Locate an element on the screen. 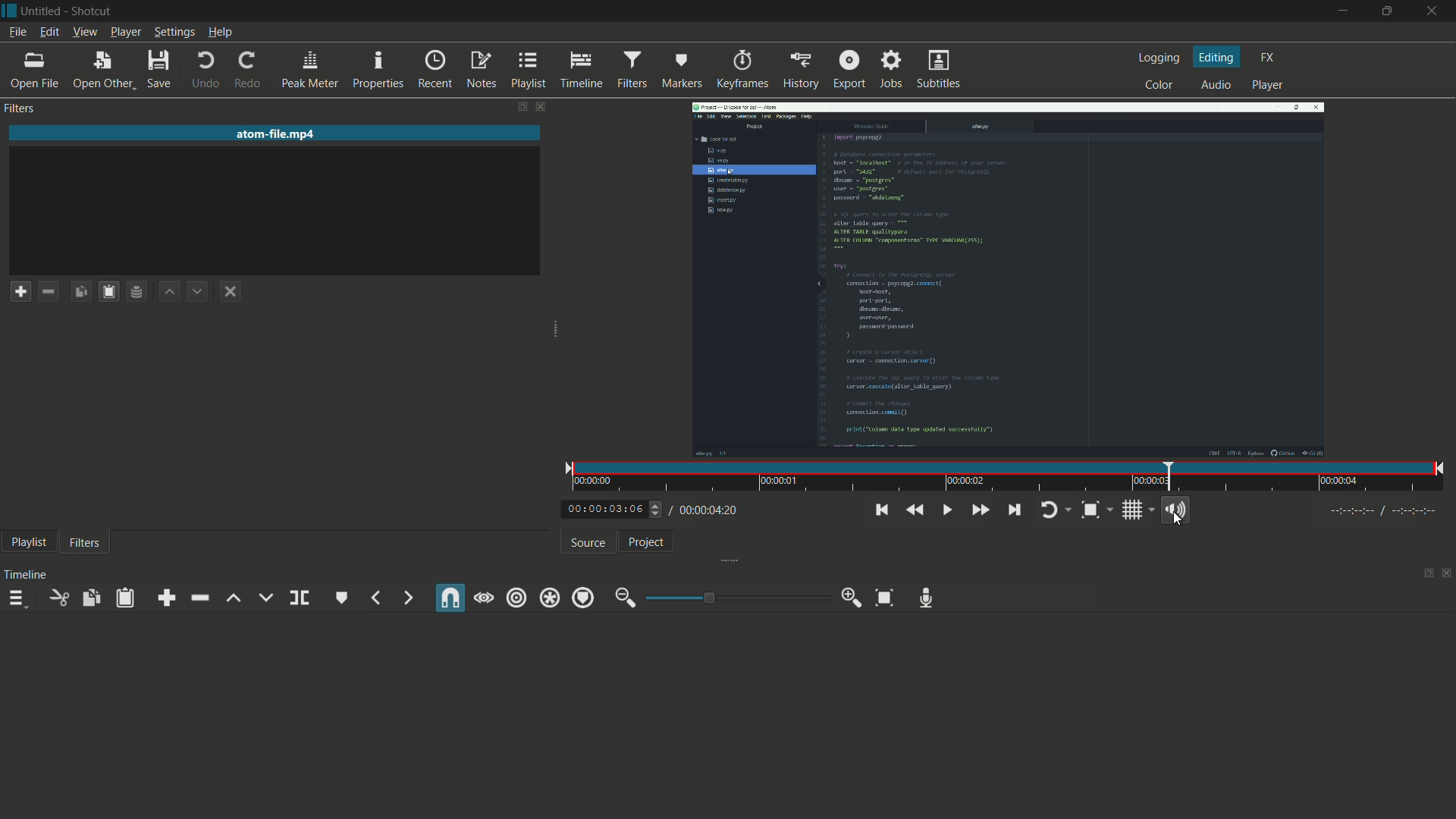  toggle player looping is located at coordinates (1047, 511).